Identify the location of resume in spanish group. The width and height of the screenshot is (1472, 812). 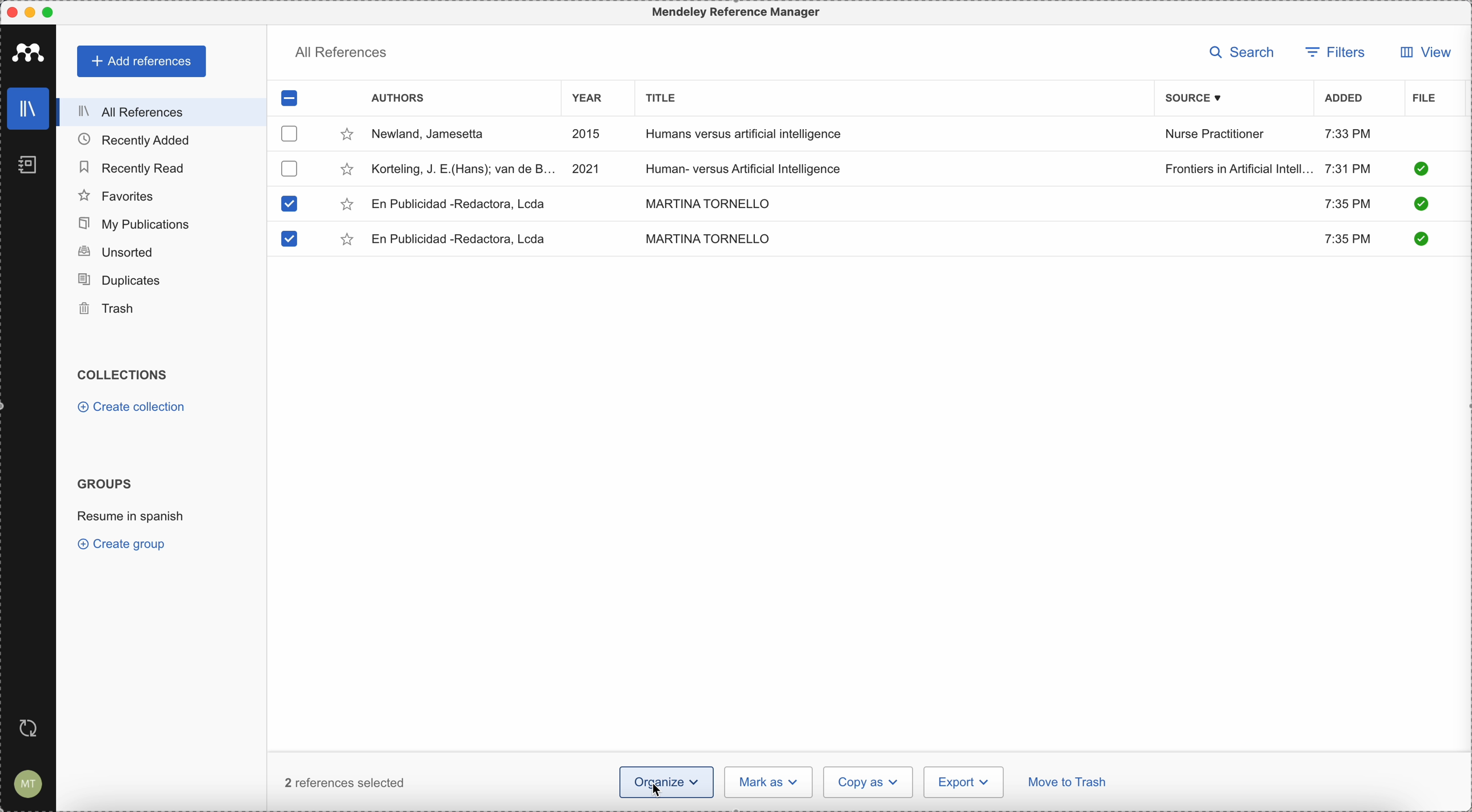
(133, 515).